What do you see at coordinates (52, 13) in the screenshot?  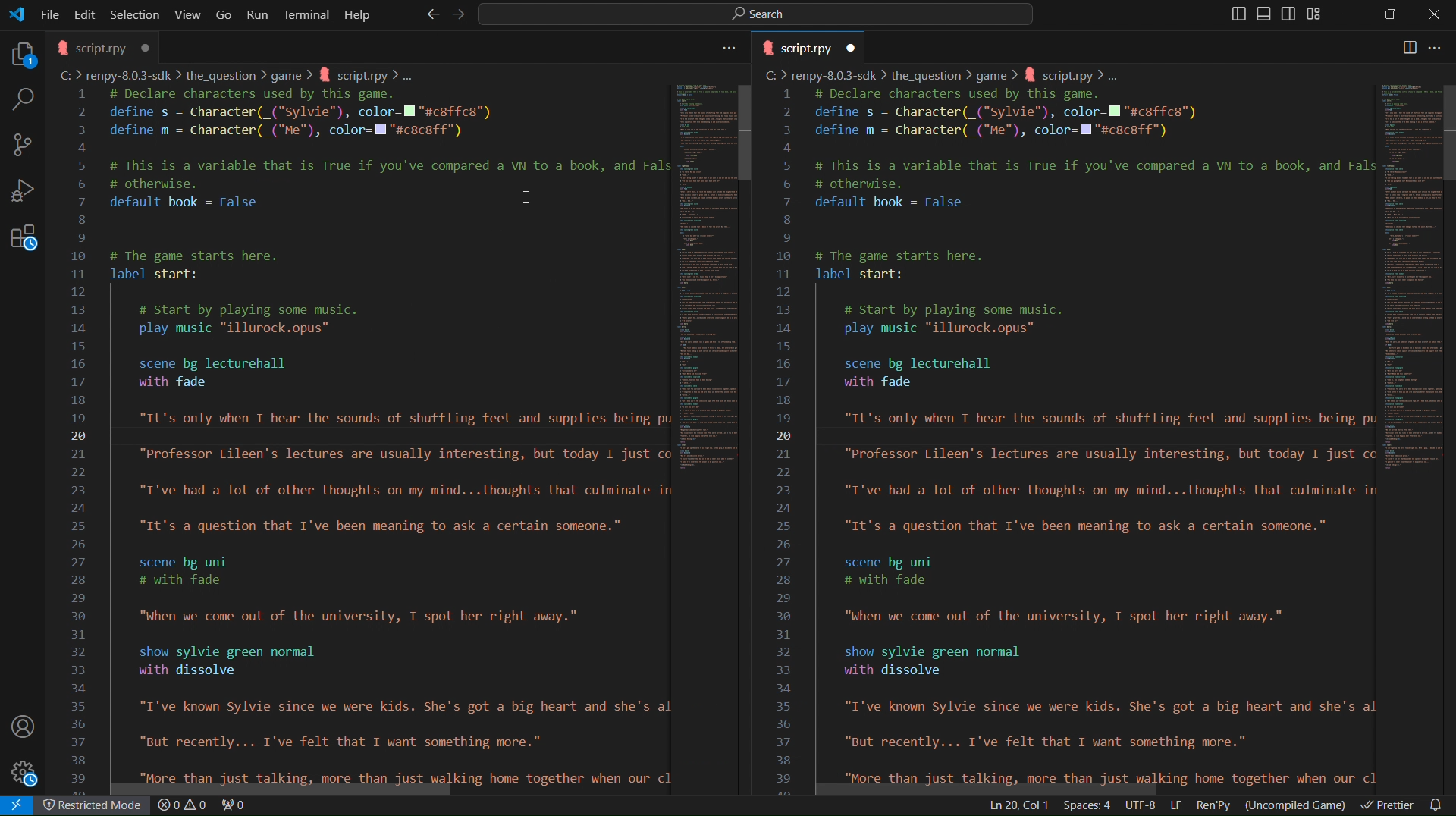 I see `File` at bounding box center [52, 13].